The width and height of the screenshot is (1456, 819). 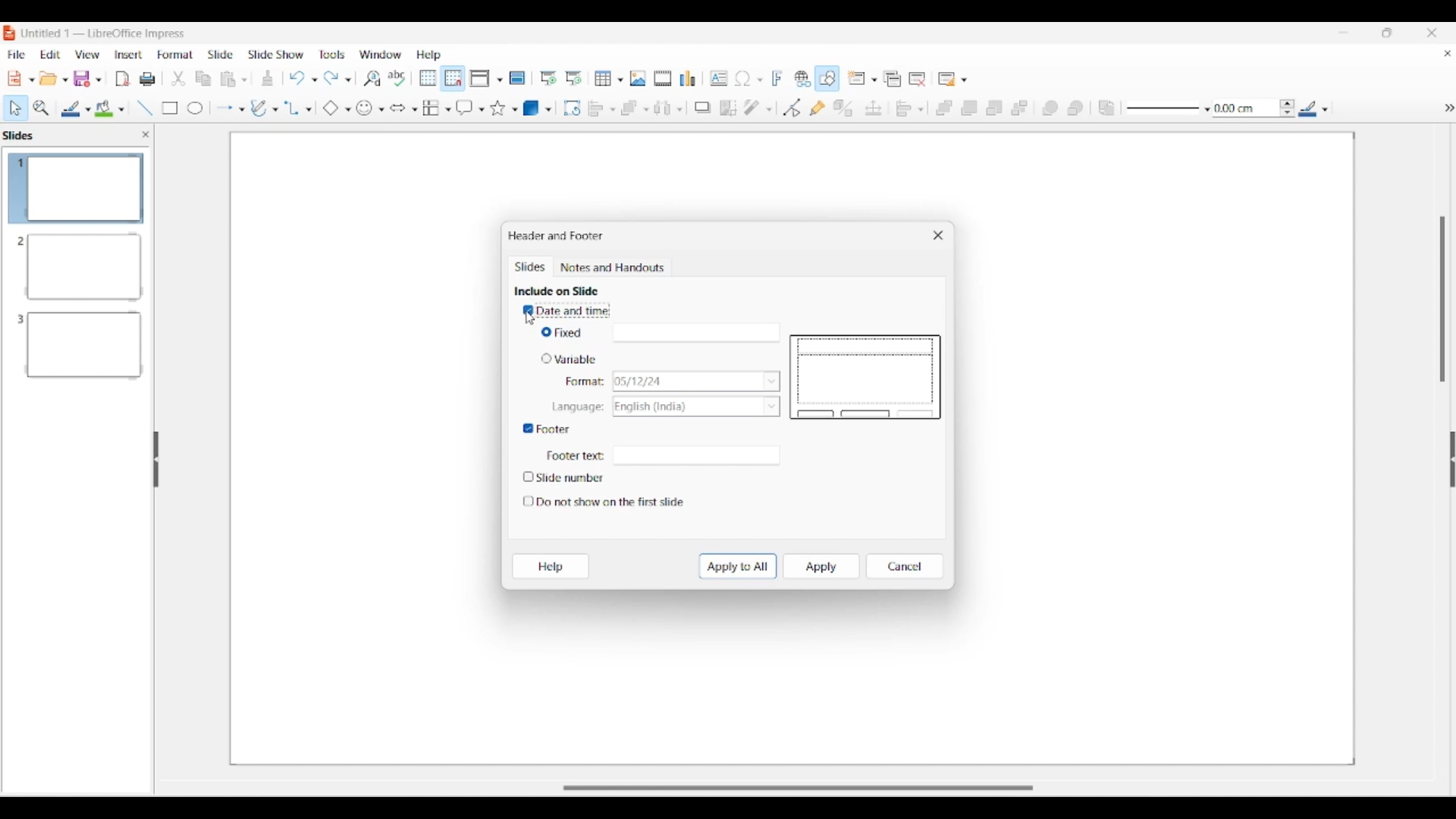 What do you see at coordinates (1439, 104) in the screenshot?
I see `hide` at bounding box center [1439, 104].